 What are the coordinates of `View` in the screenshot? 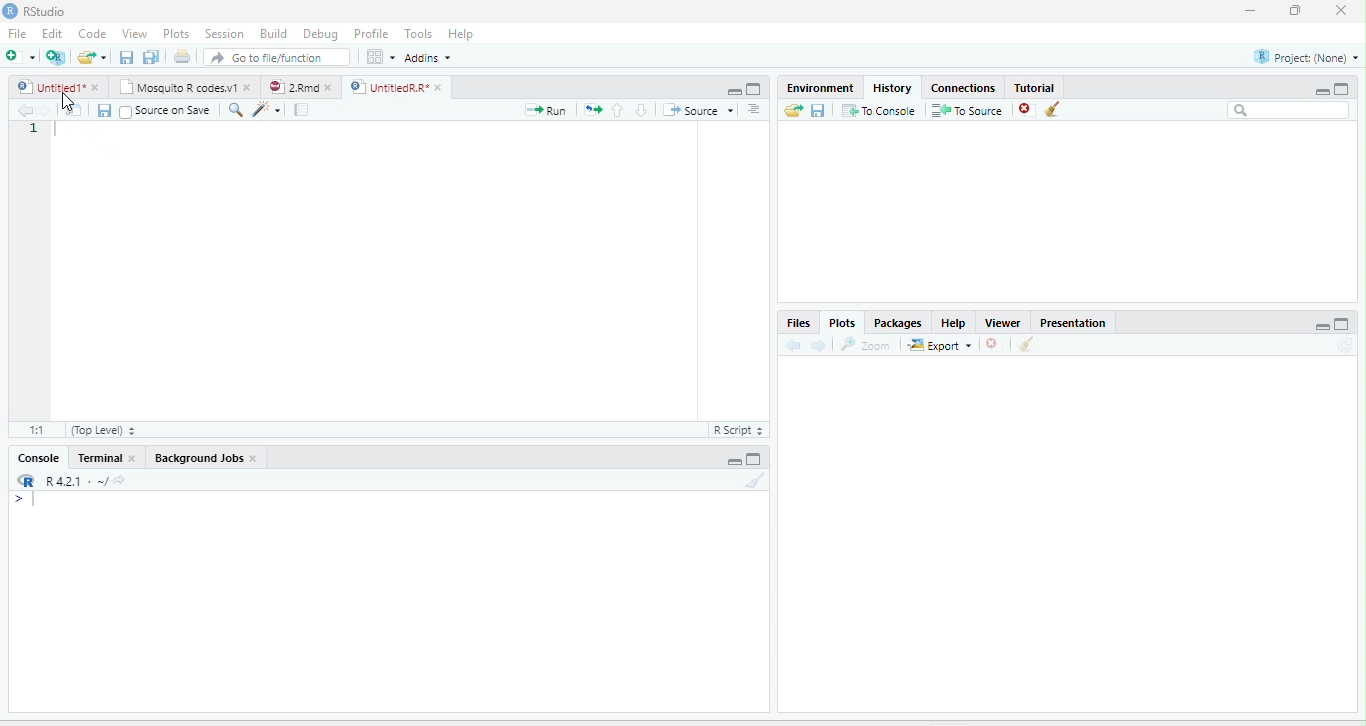 It's located at (133, 33).